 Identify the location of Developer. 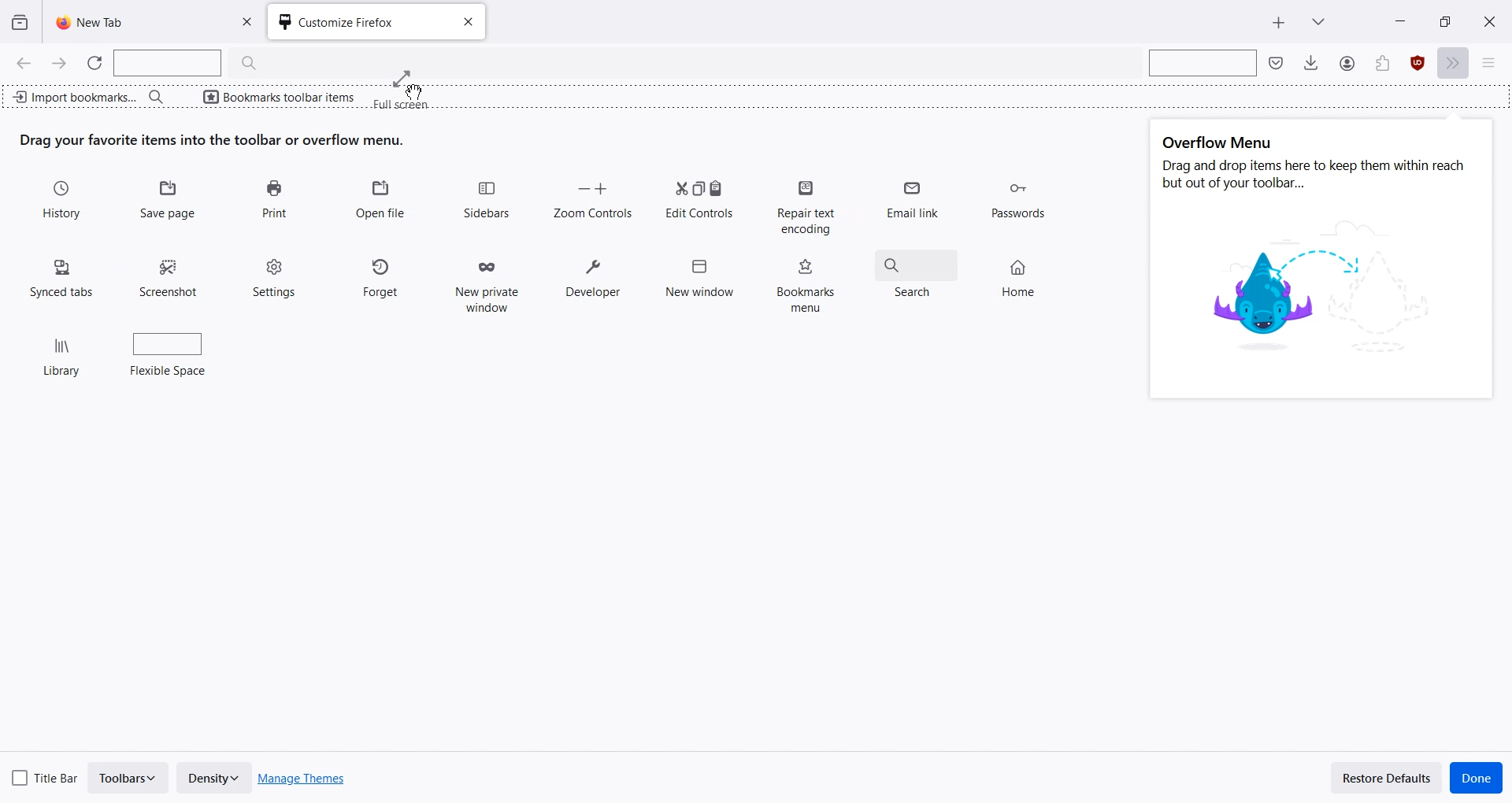
(593, 279).